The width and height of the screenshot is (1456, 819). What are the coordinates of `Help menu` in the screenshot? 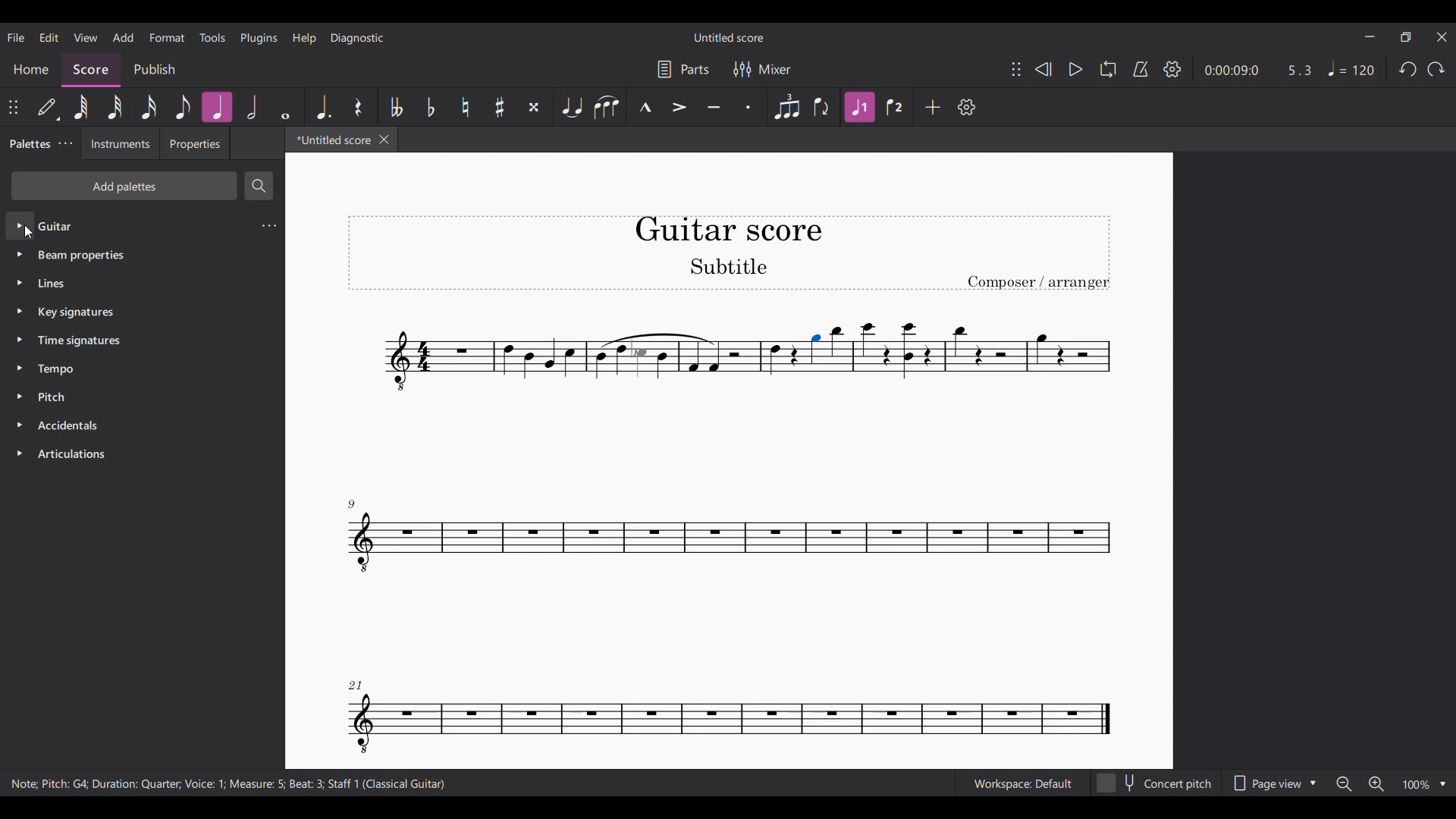 It's located at (304, 39).